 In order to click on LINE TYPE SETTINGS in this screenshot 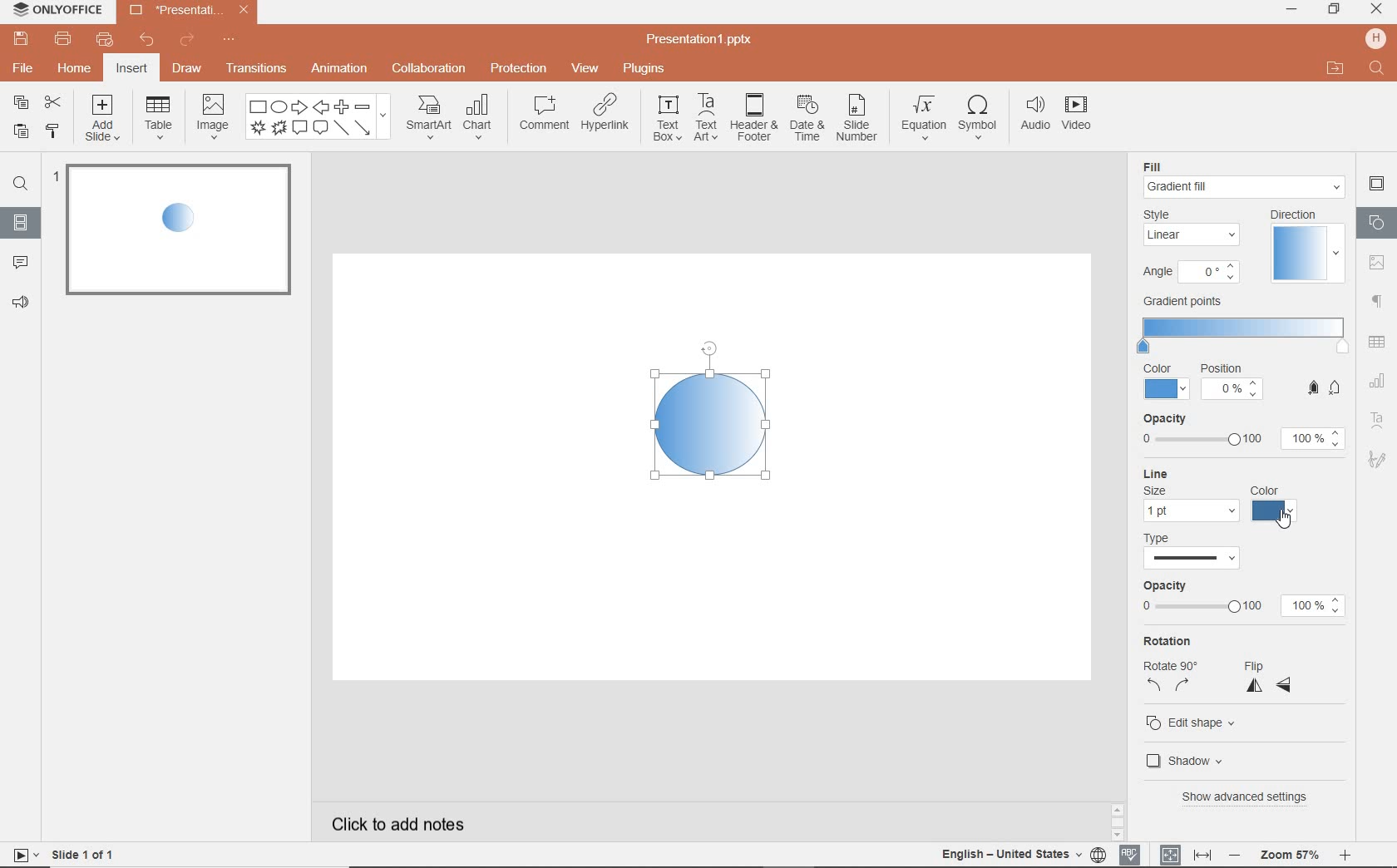, I will do `click(1195, 550)`.